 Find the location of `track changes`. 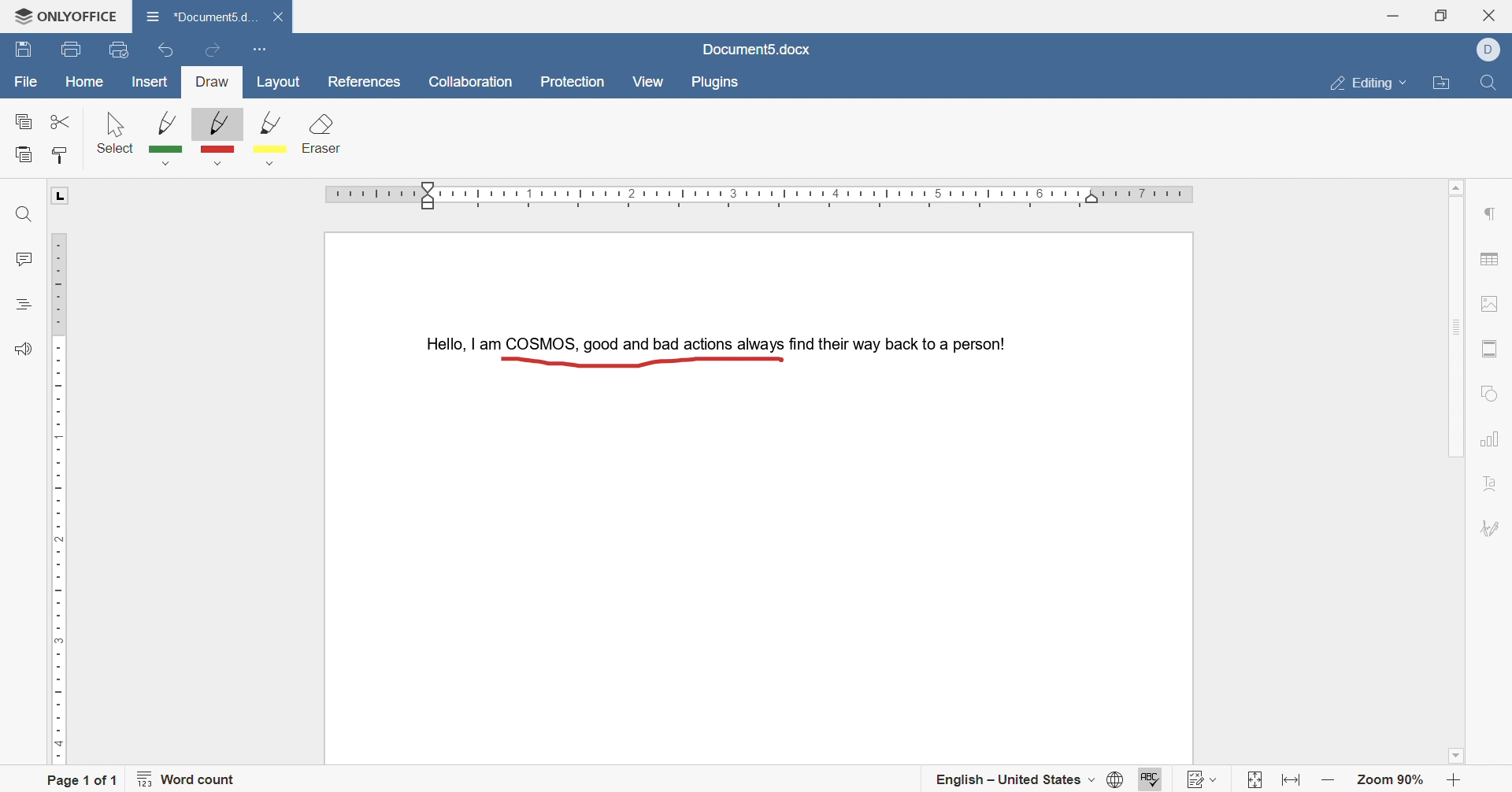

track changes is located at coordinates (1204, 776).